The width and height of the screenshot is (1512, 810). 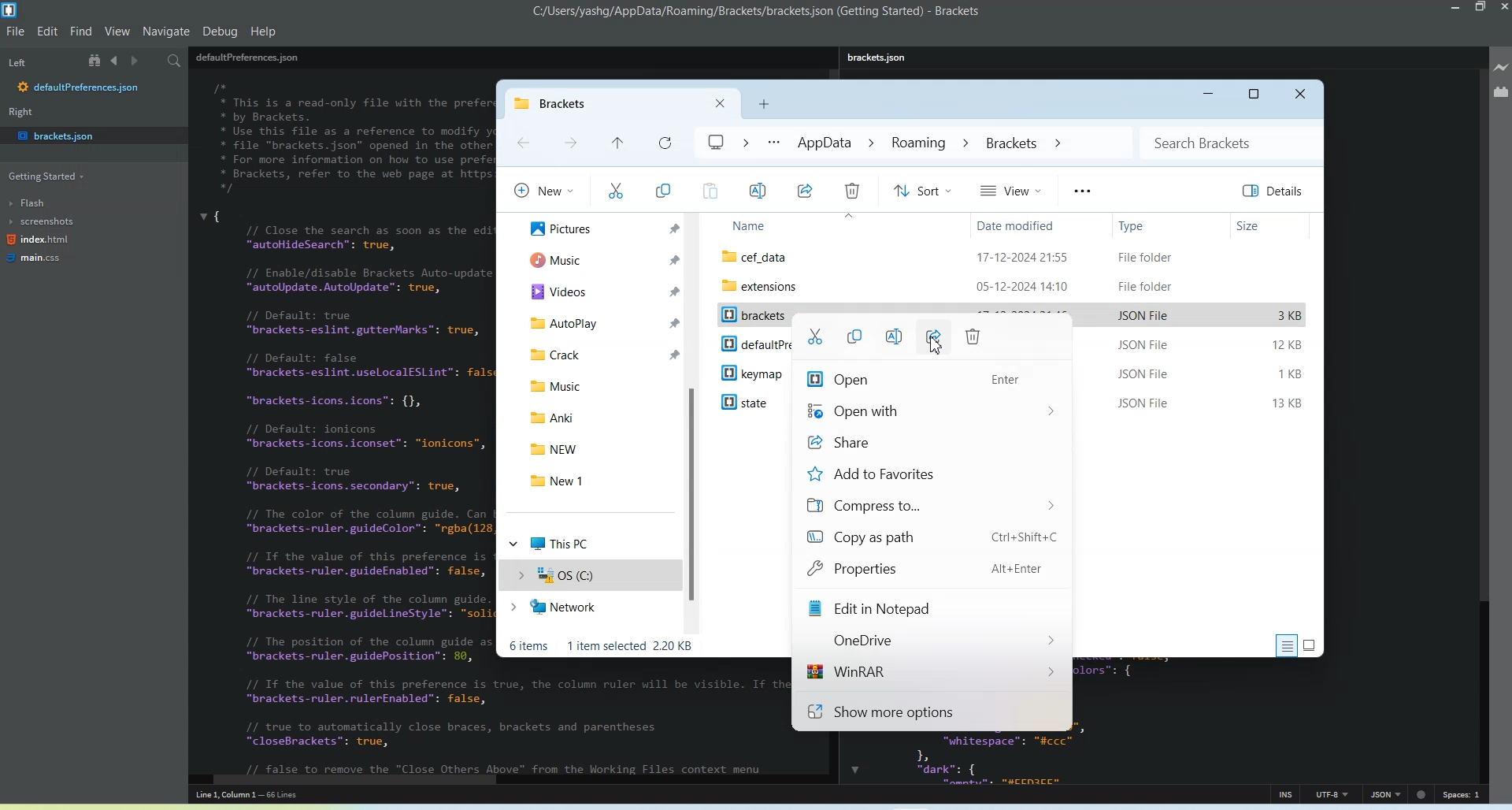 What do you see at coordinates (598, 480) in the screenshot?
I see `New 1` at bounding box center [598, 480].